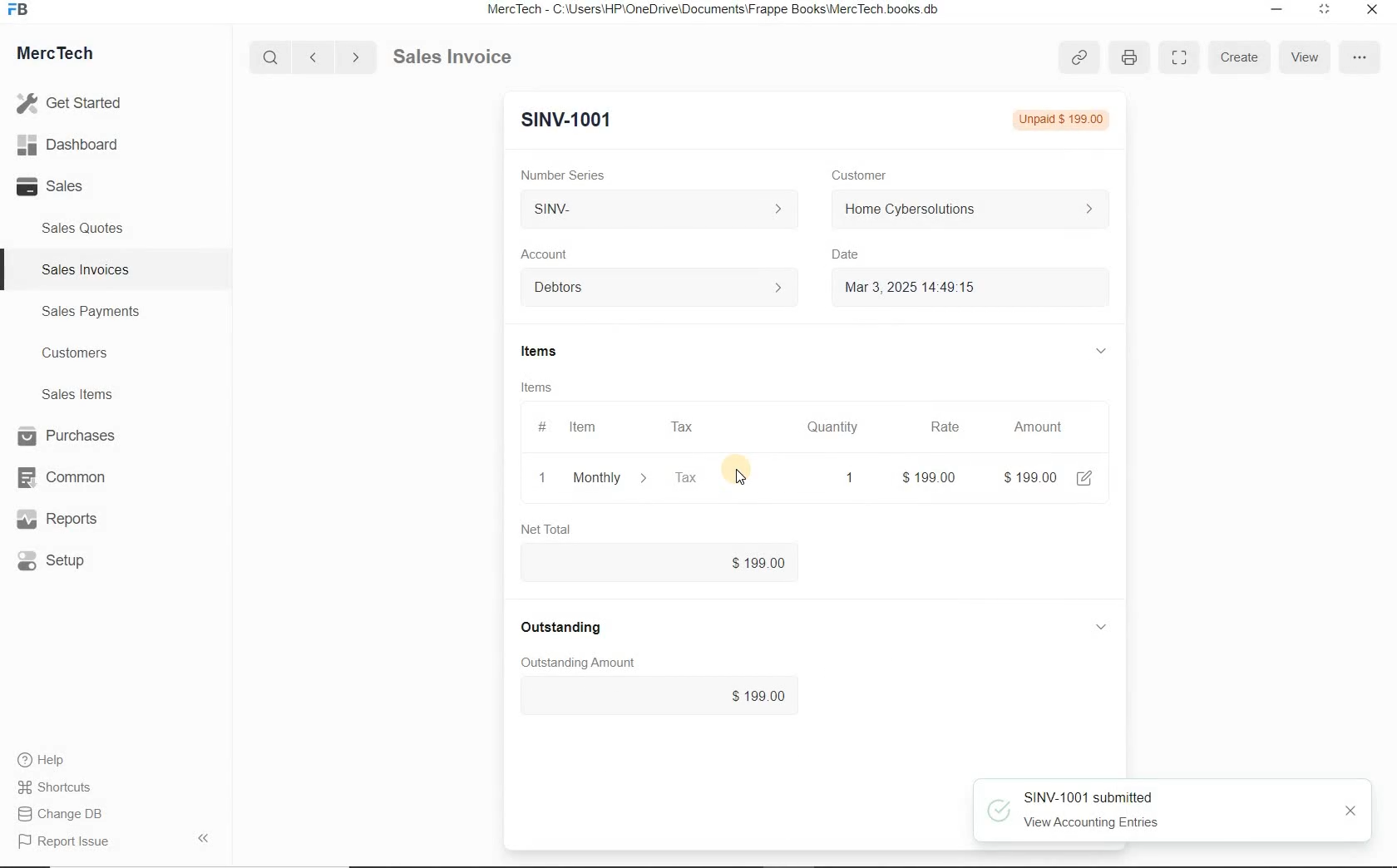 The height and width of the screenshot is (868, 1397). I want to click on Rate, so click(935, 428).